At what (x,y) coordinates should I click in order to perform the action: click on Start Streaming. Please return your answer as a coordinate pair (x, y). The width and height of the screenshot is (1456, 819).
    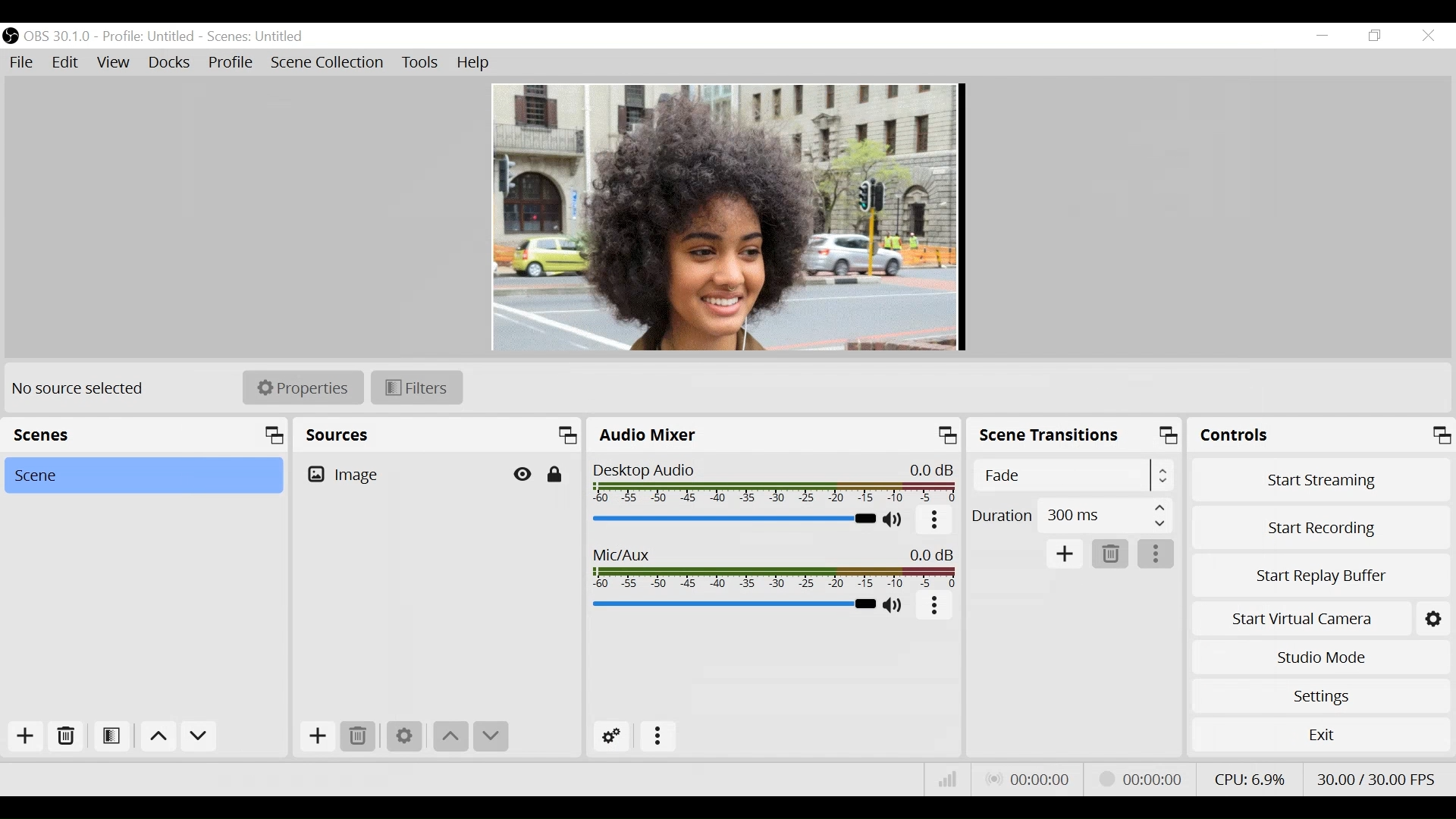
    Looking at the image, I should click on (1319, 479).